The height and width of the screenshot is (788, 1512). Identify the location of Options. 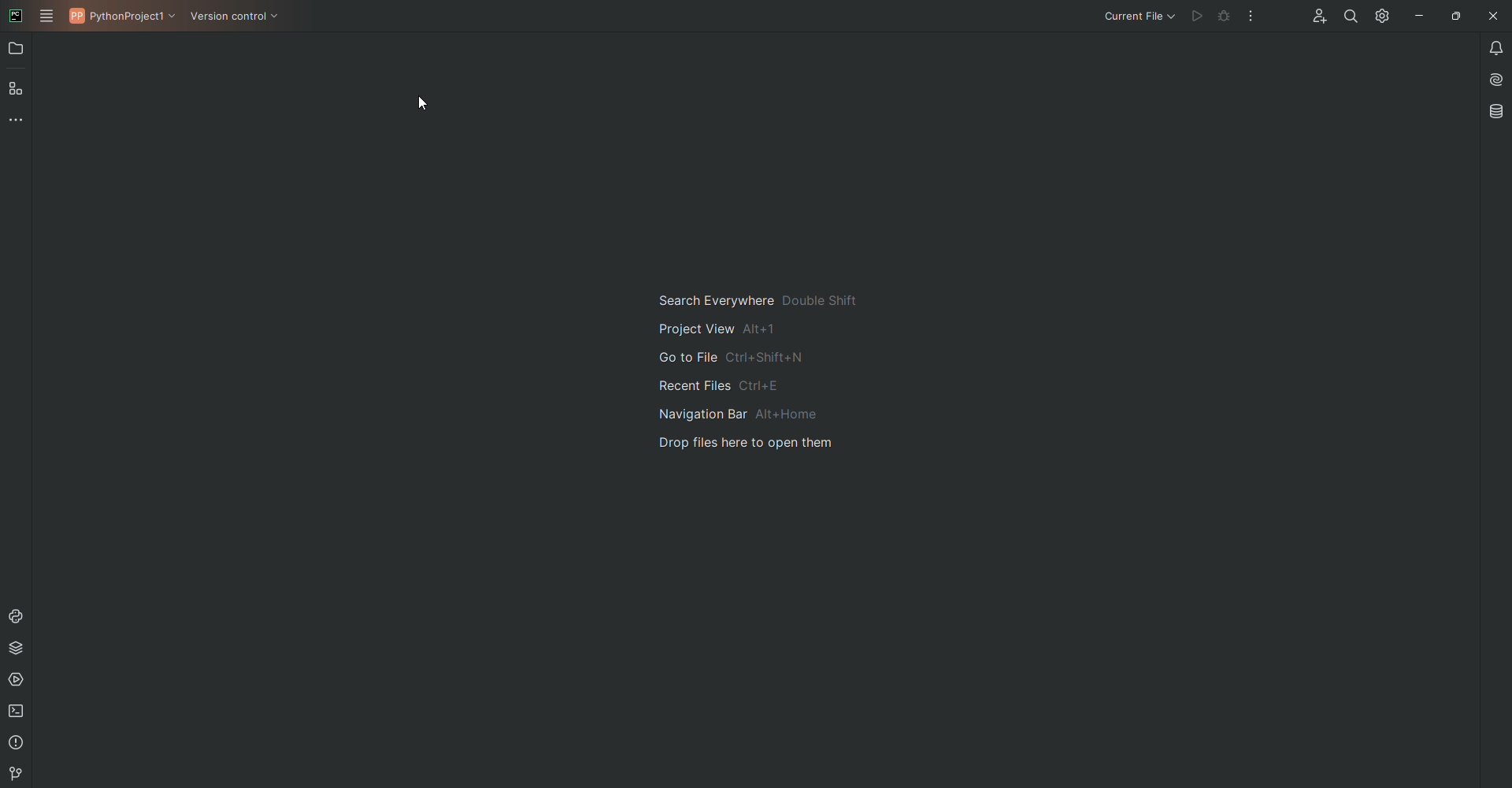
(1251, 16).